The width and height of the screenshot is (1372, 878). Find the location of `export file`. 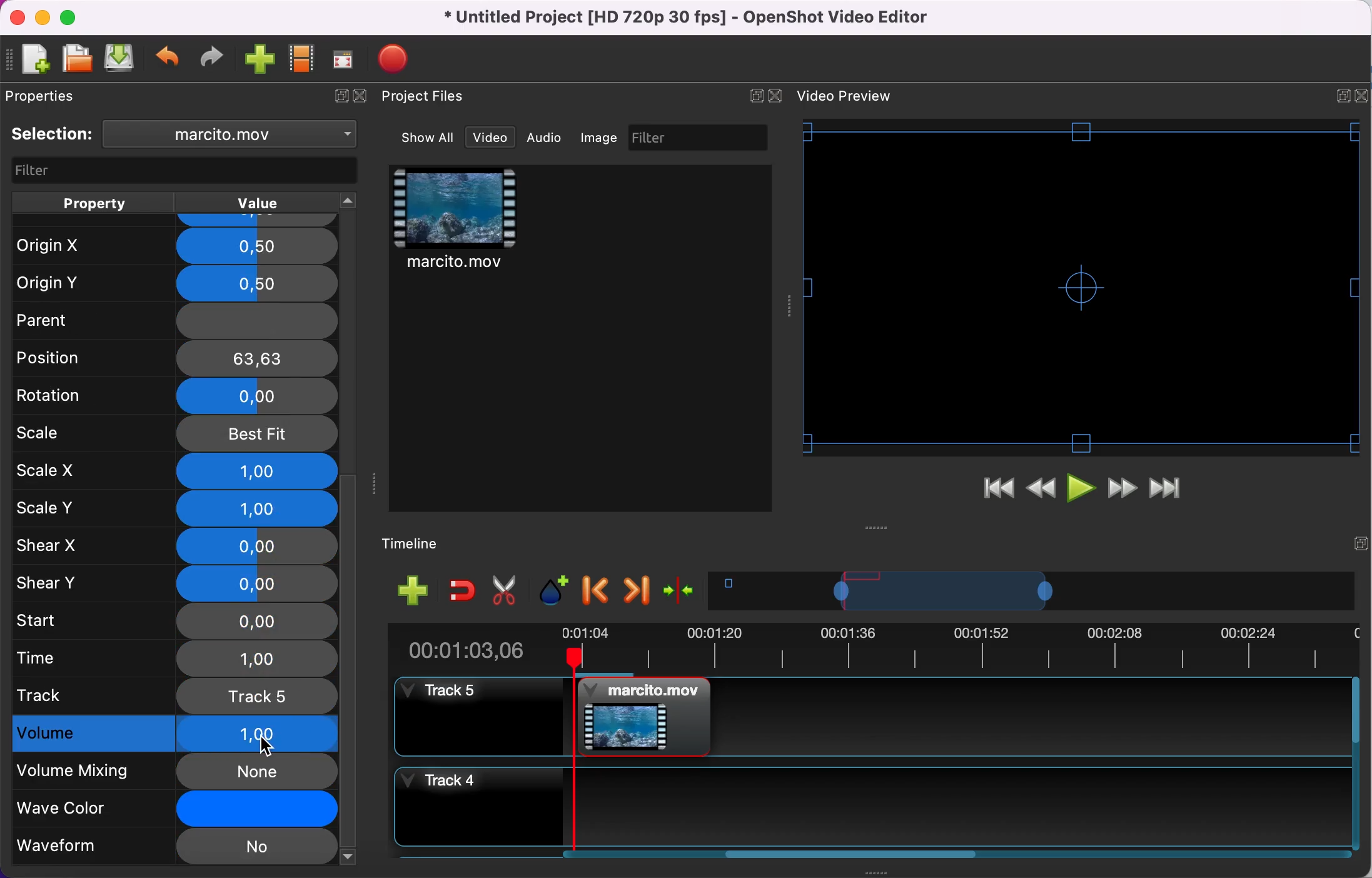

export file is located at coordinates (400, 59).